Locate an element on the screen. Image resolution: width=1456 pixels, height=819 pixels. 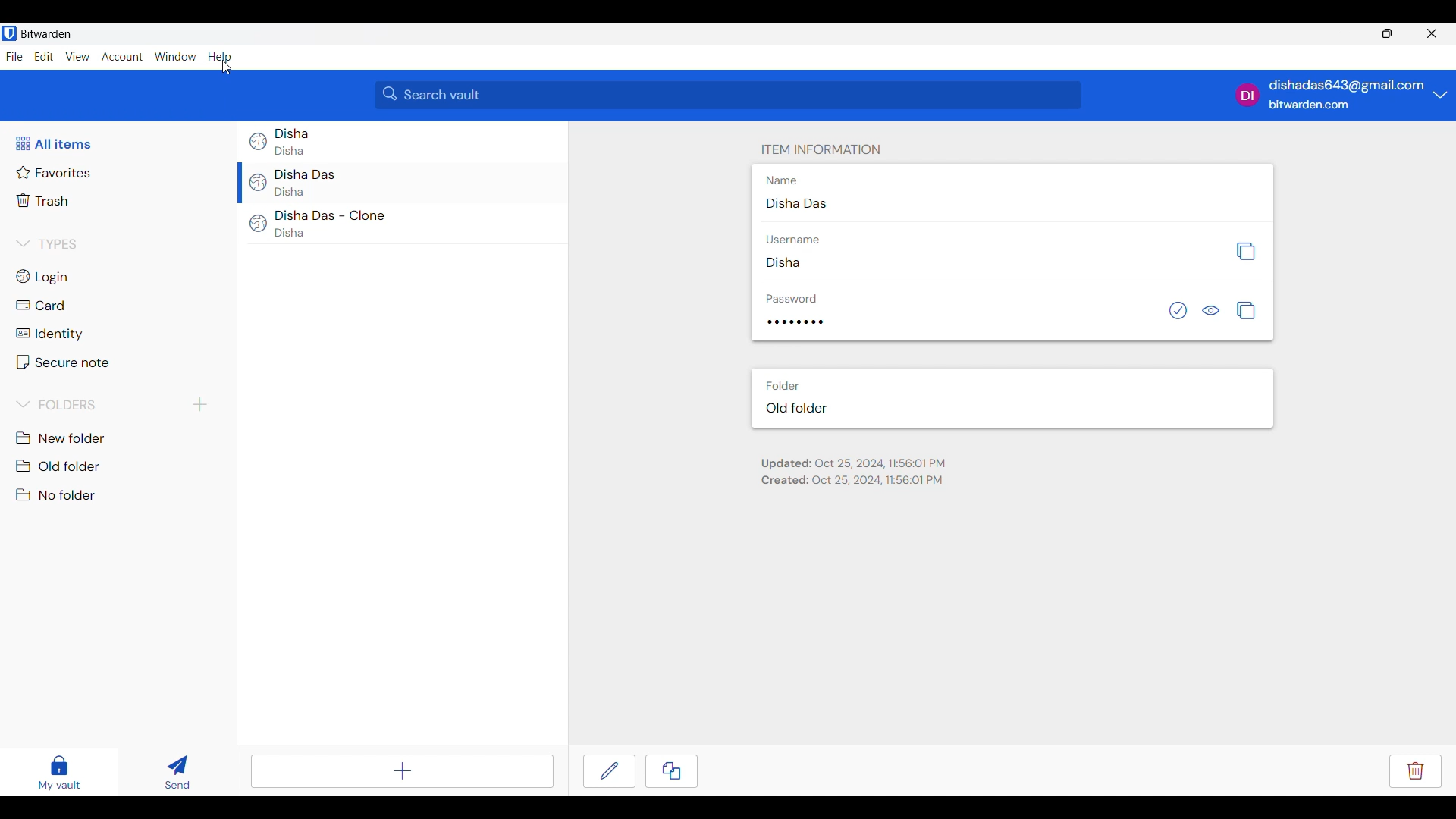
Disha Das - Clone - item in the vault is located at coordinates (330, 215).